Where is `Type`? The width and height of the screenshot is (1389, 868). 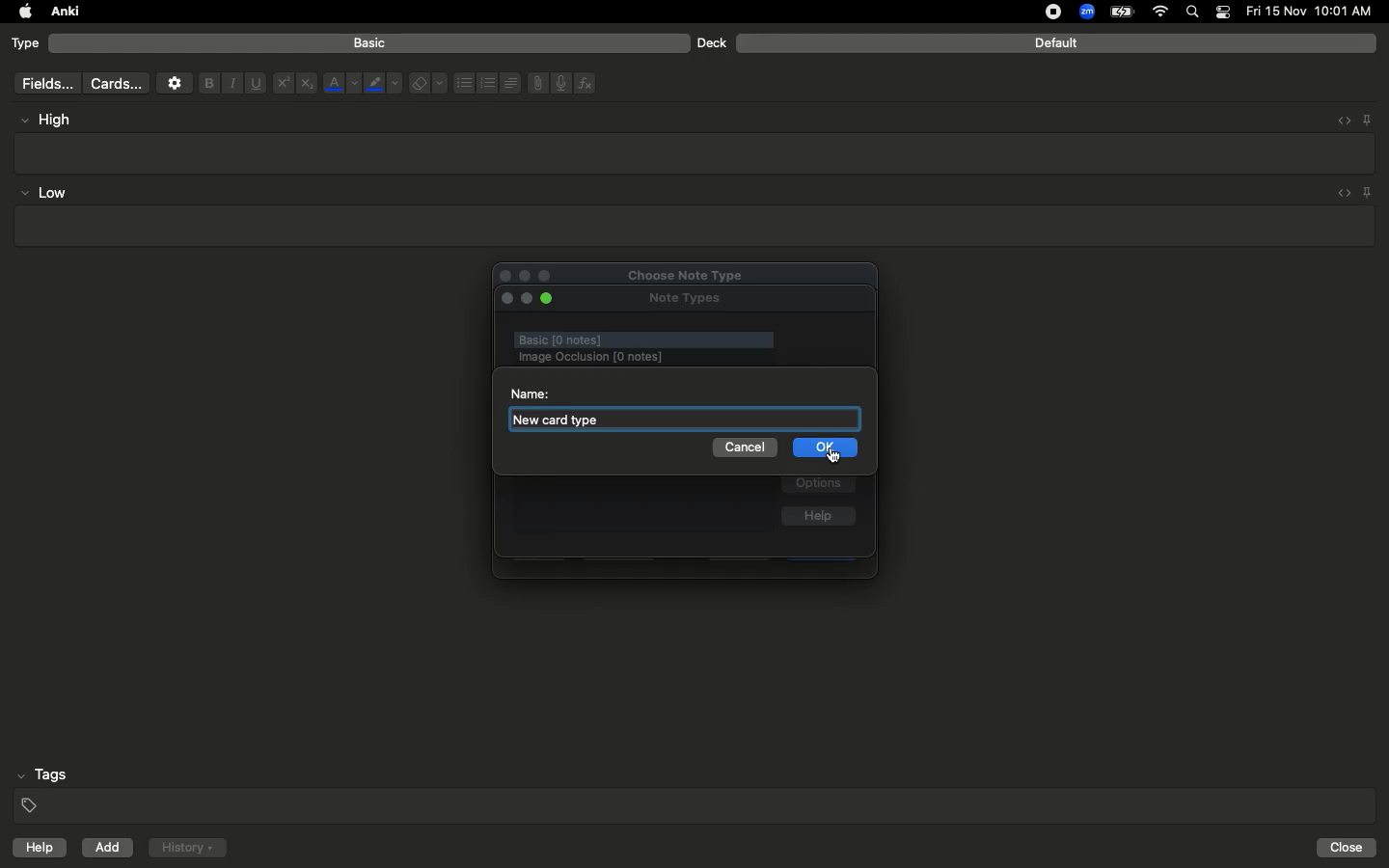 Type is located at coordinates (26, 44).